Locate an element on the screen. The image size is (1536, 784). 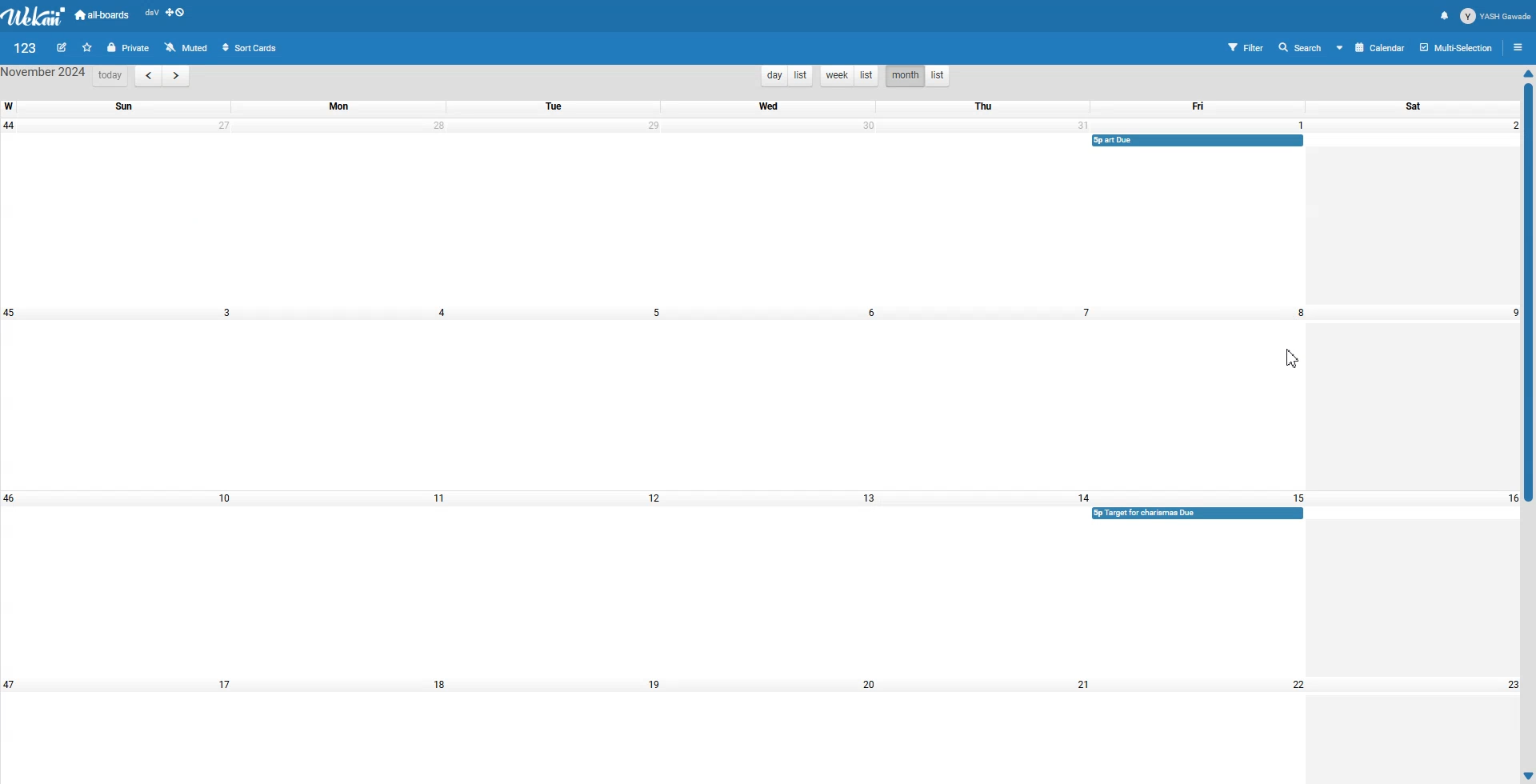
Multi selection is located at coordinates (1458, 47).